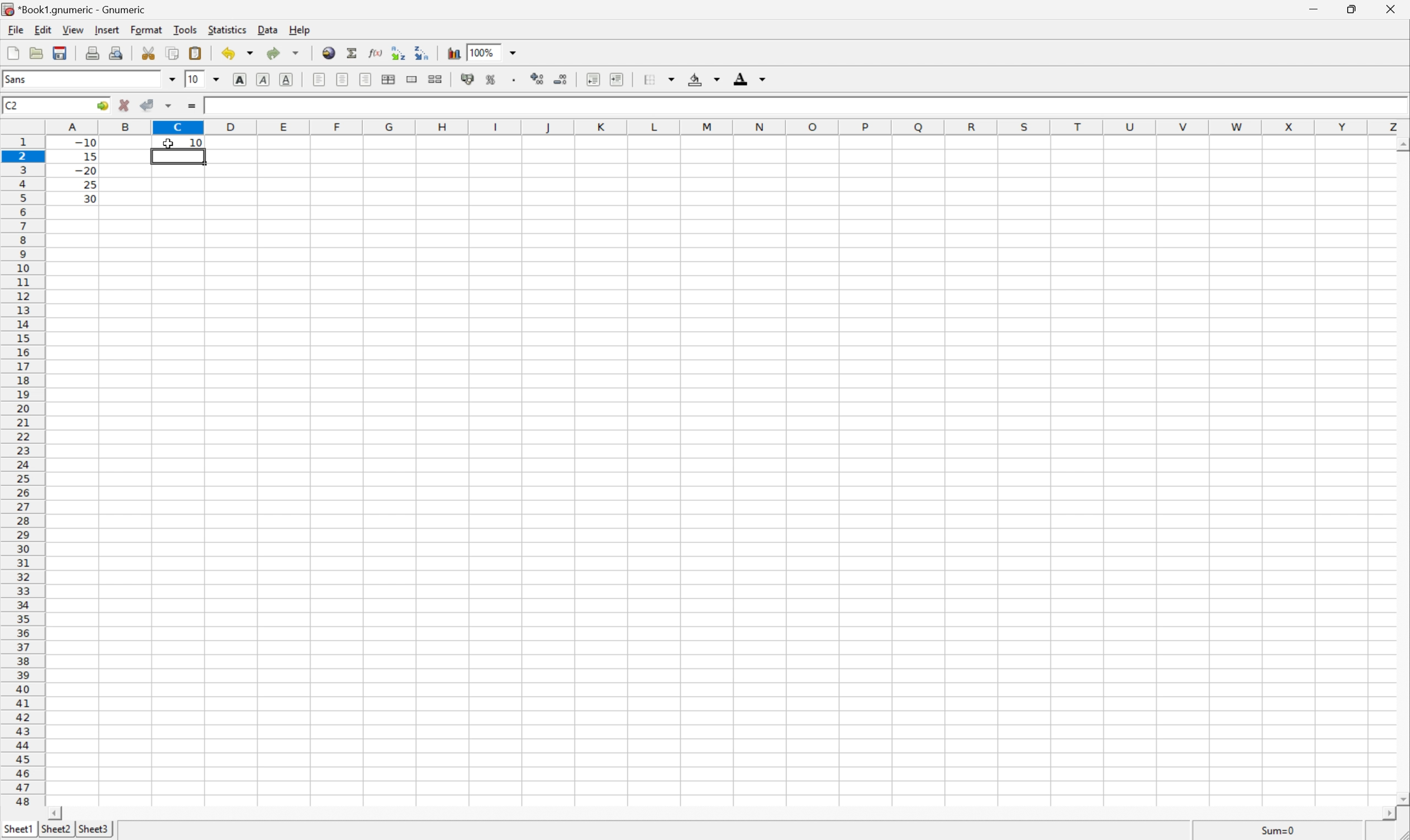 The width and height of the screenshot is (1410, 840). What do you see at coordinates (171, 79) in the screenshot?
I see `Drop Down` at bounding box center [171, 79].